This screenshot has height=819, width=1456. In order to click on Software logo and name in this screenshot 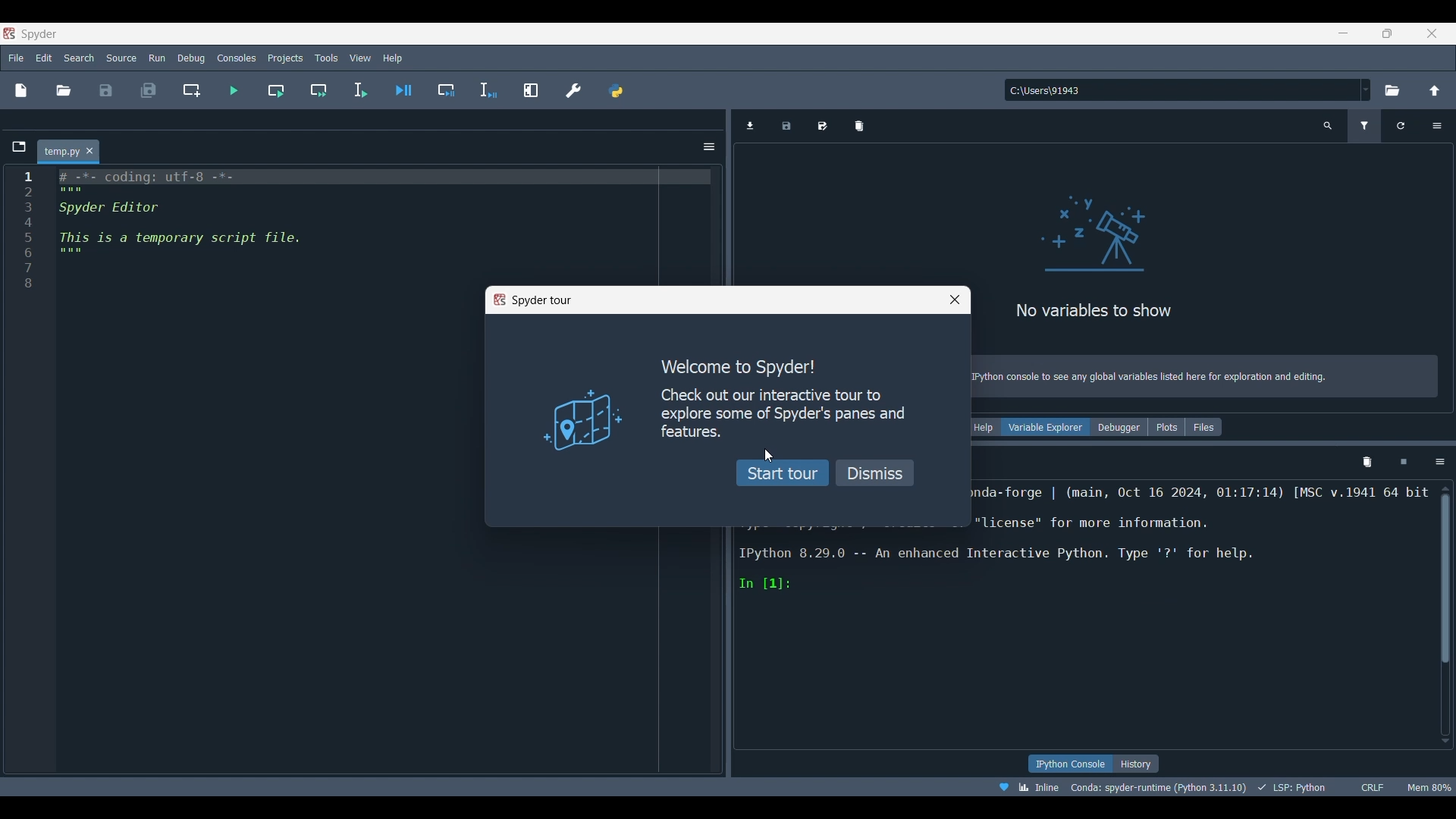, I will do `click(31, 33)`.